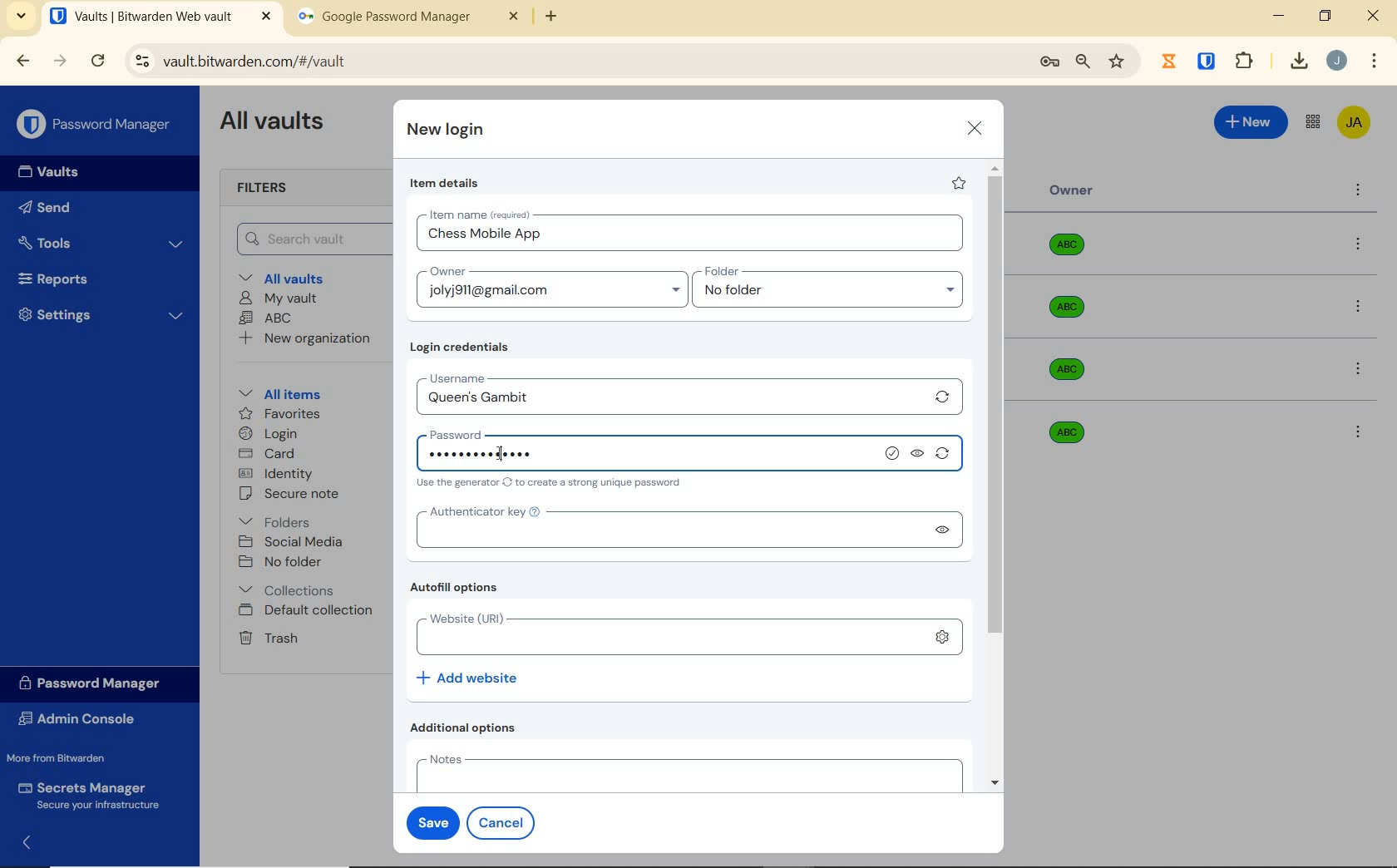 This screenshot has height=868, width=1397. What do you see at coordinates (1375, 62) in the screenshot?
I see `customize Google chrome` at bounding box center [1375, 62].